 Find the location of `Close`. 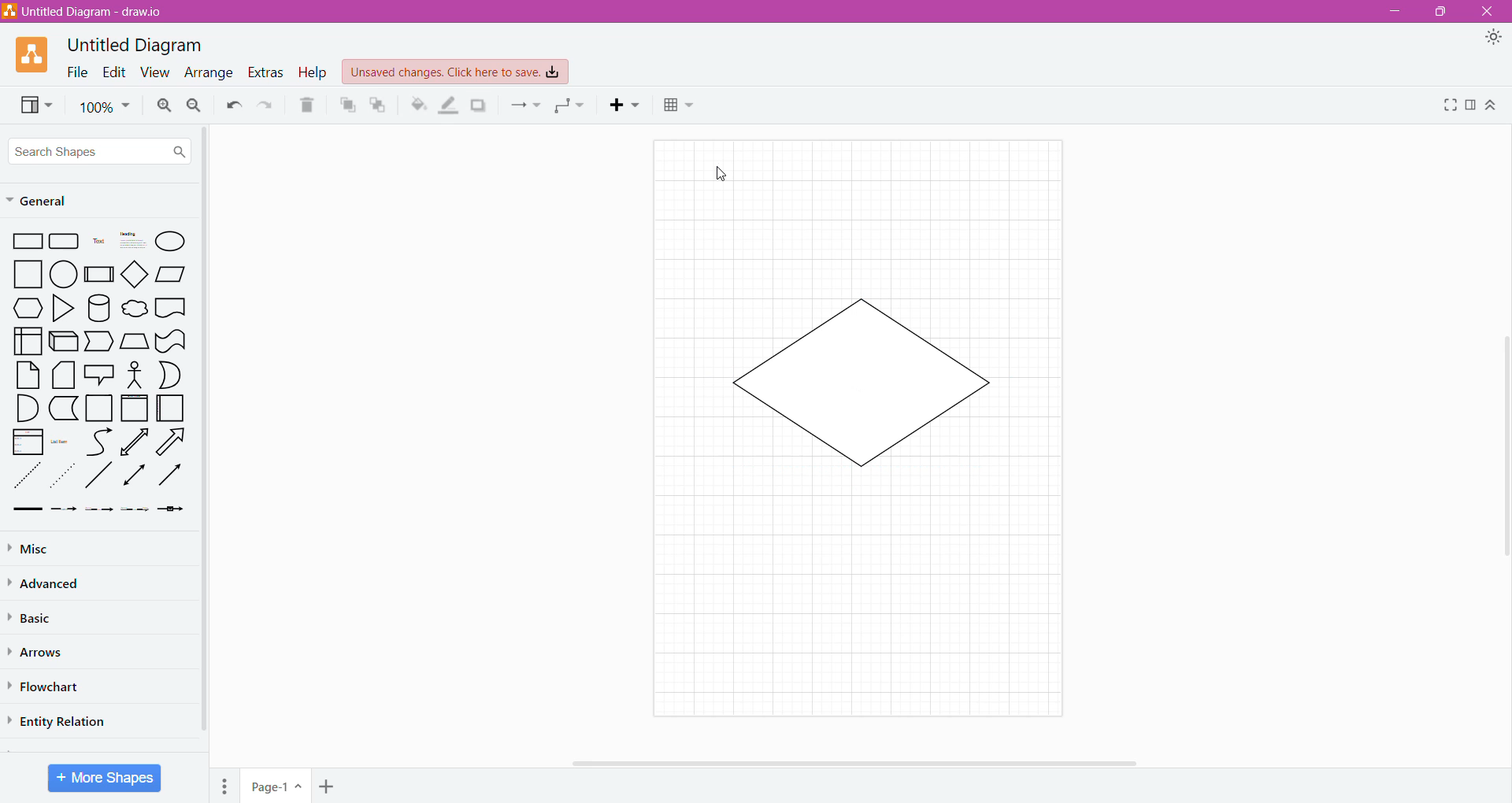

Close is located at coordinates (1489, 12).